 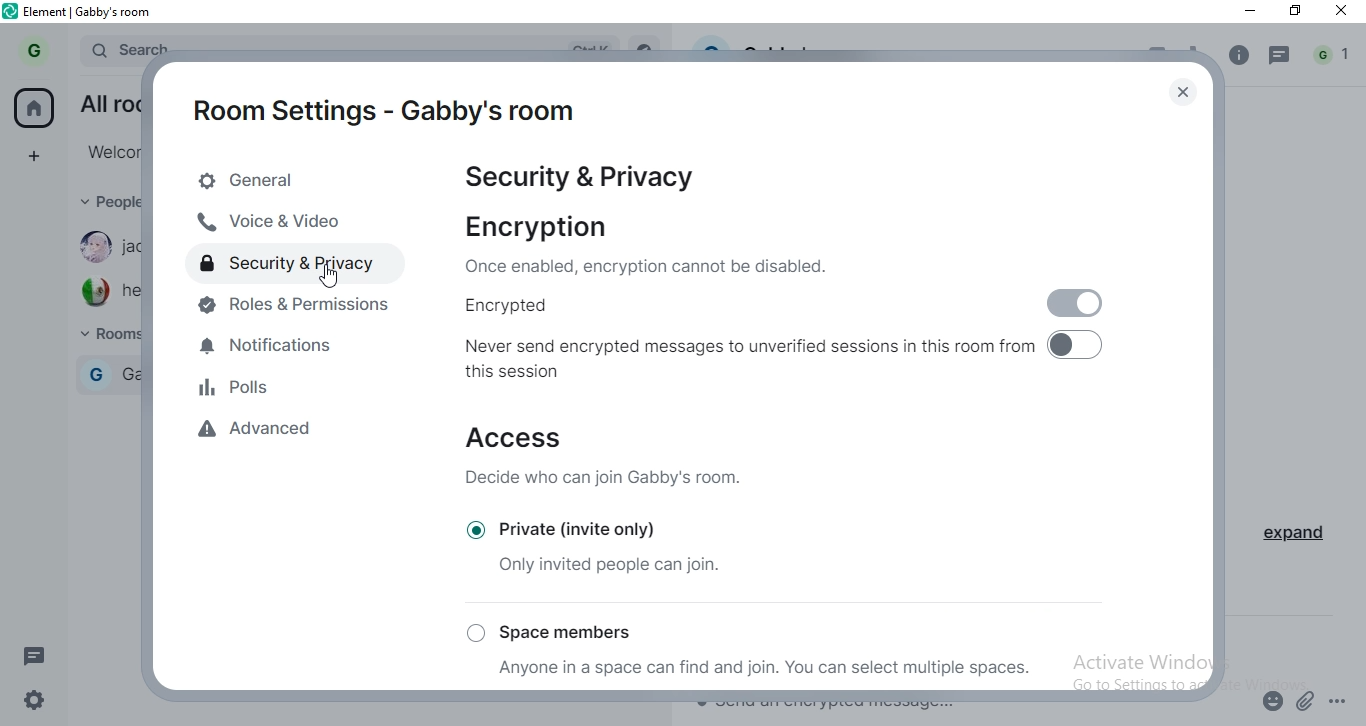 What do you see at coordinates (38, 49) in the screenshot?
I see `profile` at bounding box center [38, 49].